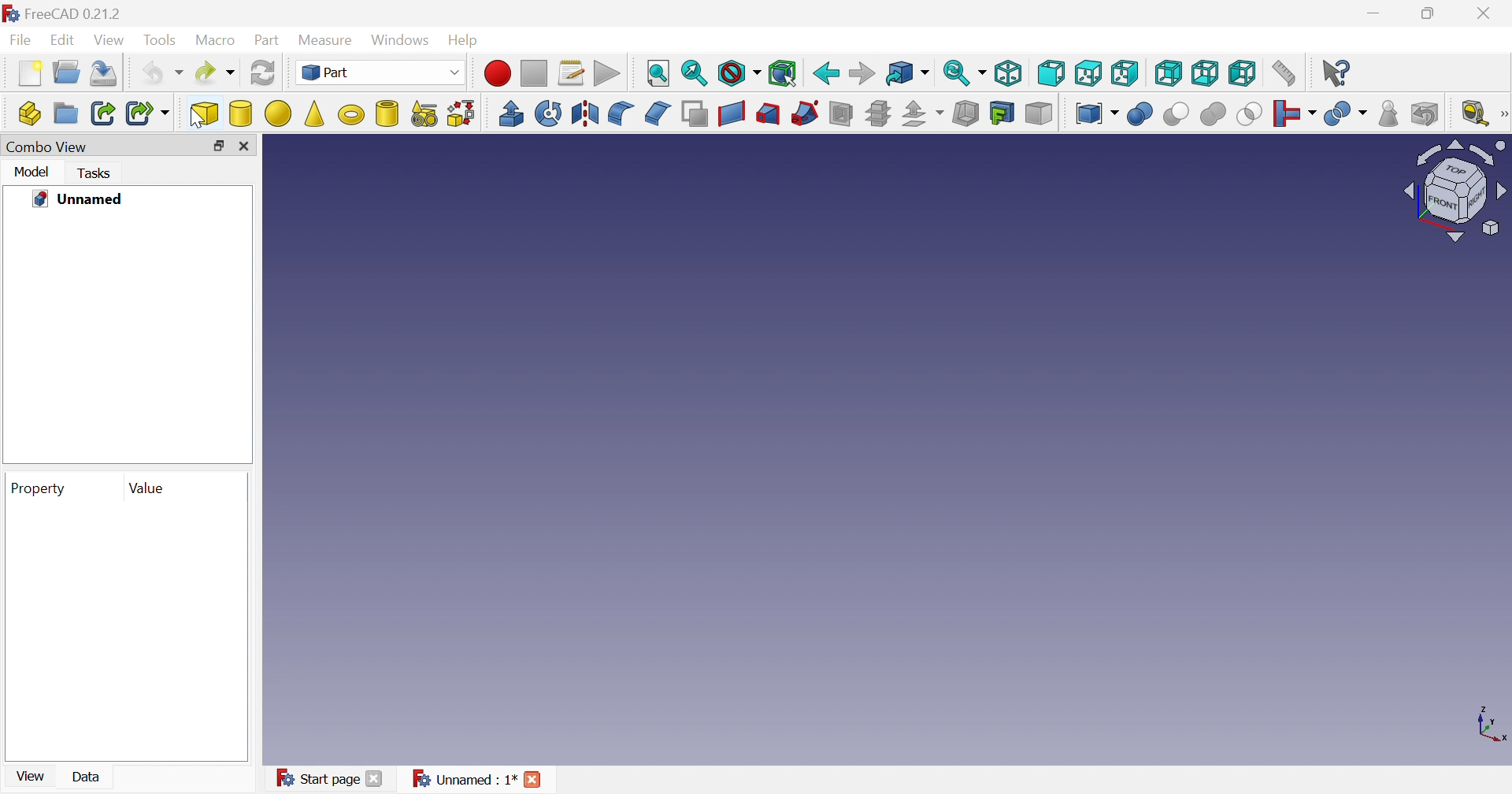  I want to click on Cross-sections, so click(878, 113).